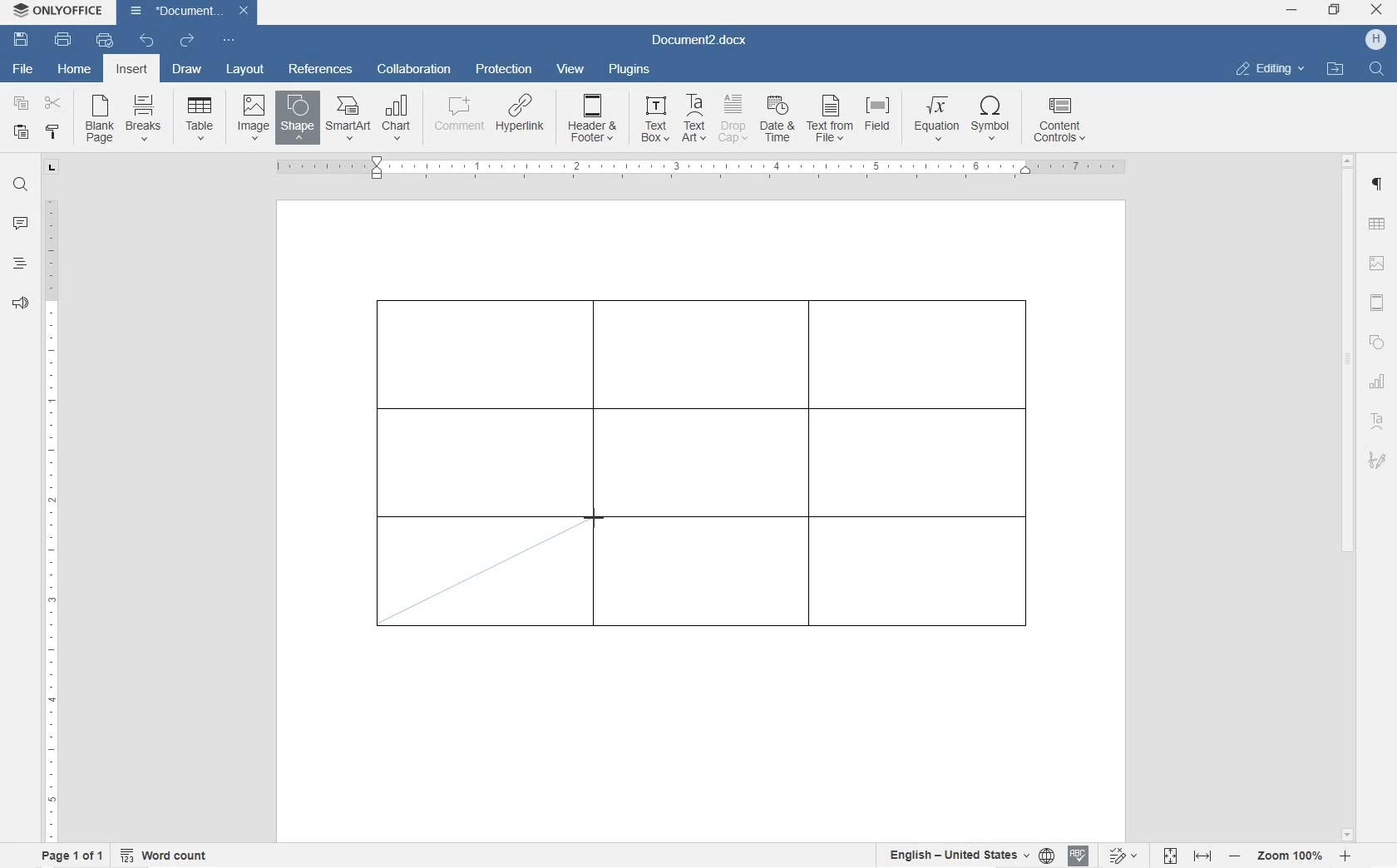  What do you see at coordinates (1376, 264) in the screenshot?
I see `image settings` at bounding box center [1376, 264].